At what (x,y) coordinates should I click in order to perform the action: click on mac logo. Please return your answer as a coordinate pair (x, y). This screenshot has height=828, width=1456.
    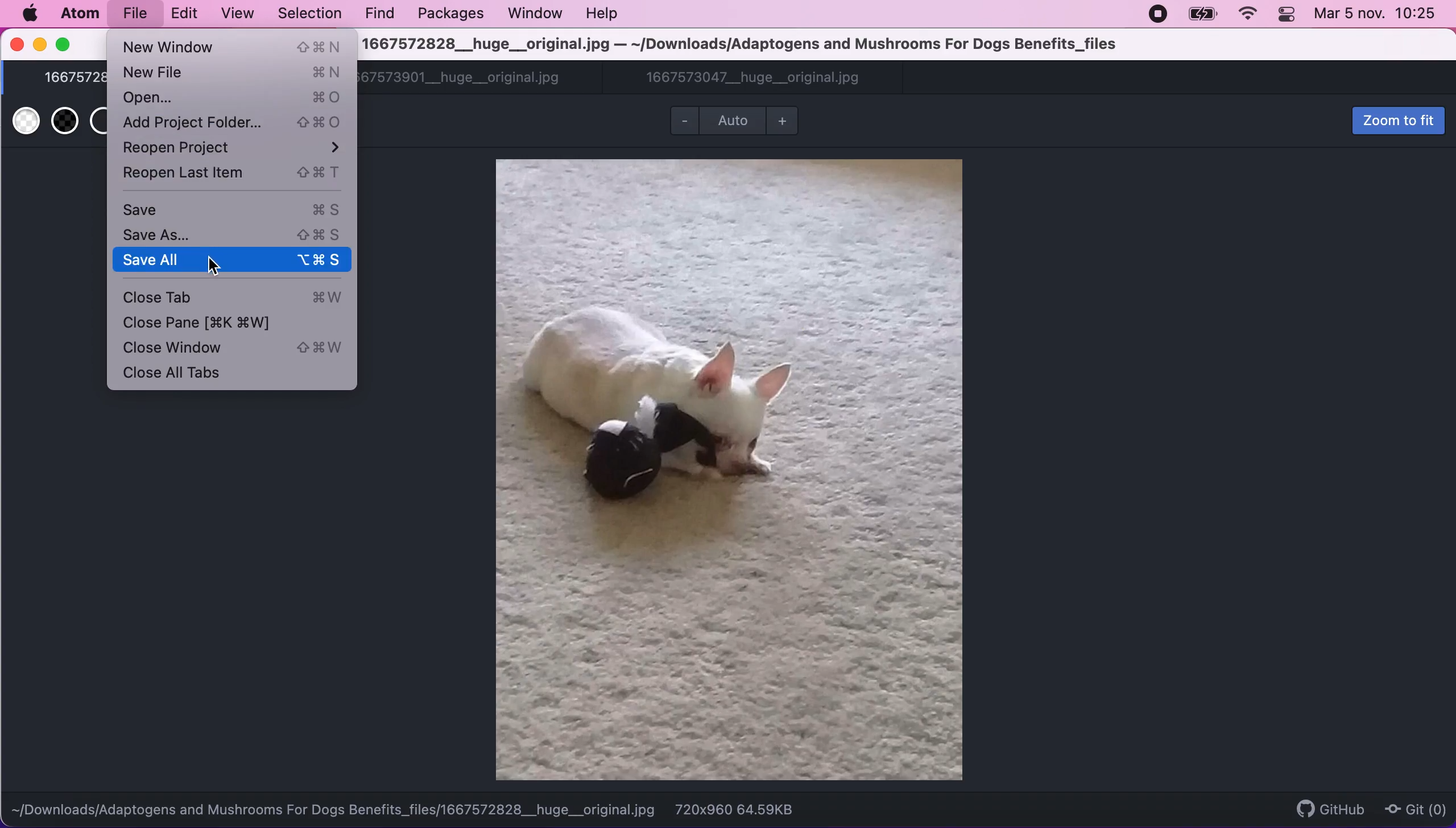
    Looking at the image, I should click on (31, 15).